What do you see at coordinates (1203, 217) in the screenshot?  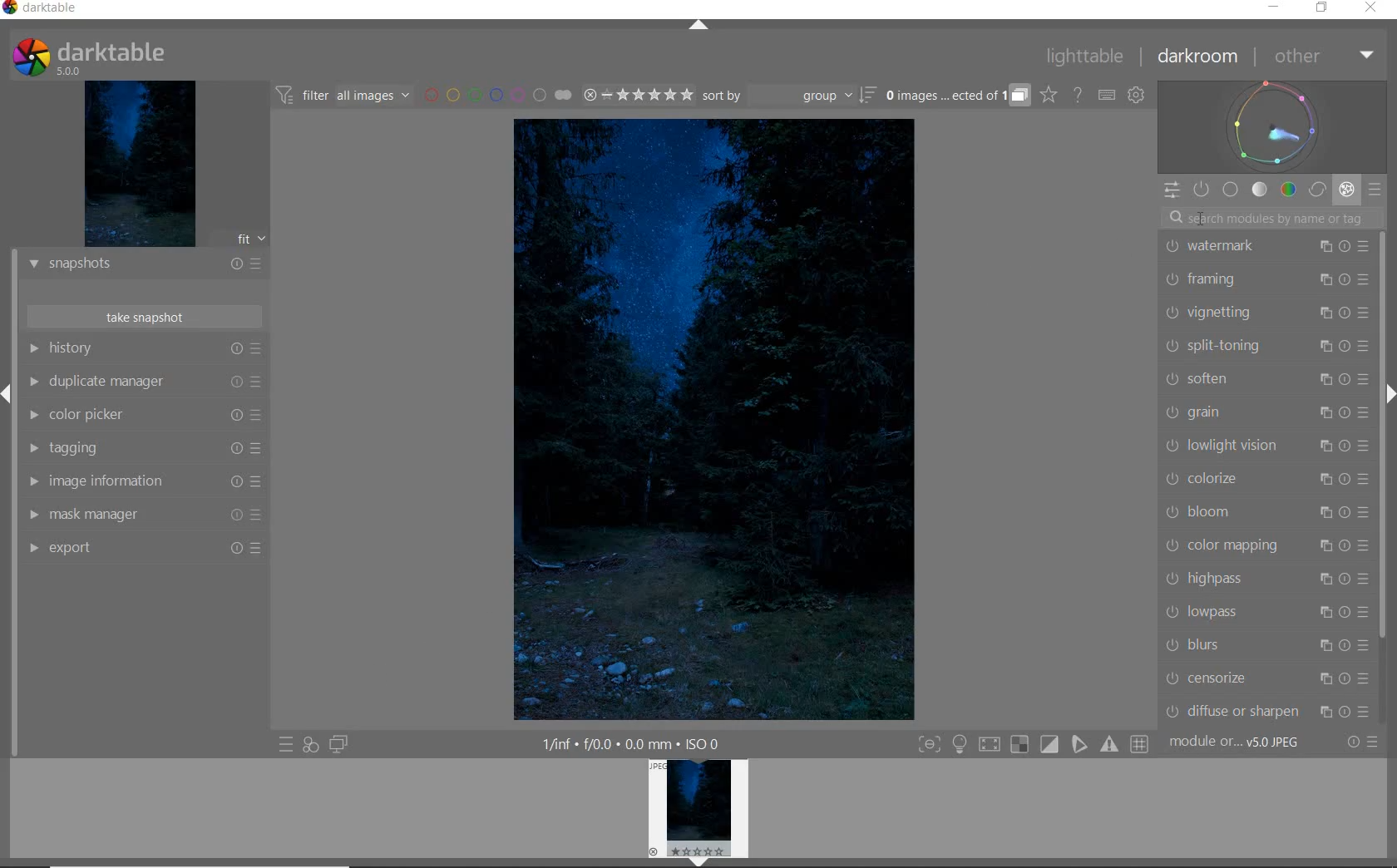 I see `cursor` at bounding box center [1203, 217].